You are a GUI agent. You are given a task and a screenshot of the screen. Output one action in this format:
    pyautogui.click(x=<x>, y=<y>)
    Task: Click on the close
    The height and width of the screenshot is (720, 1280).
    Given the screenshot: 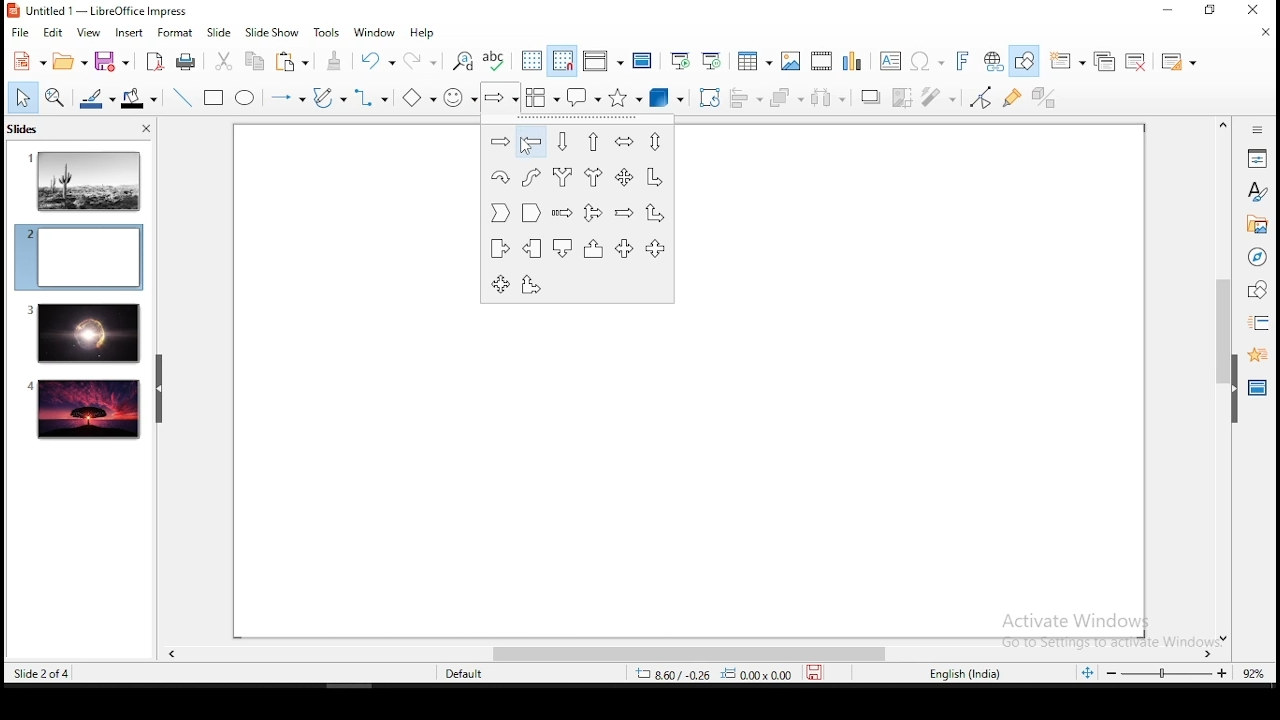 What is the action you would take?
    pyautogui.click(x=144, y=131)
    